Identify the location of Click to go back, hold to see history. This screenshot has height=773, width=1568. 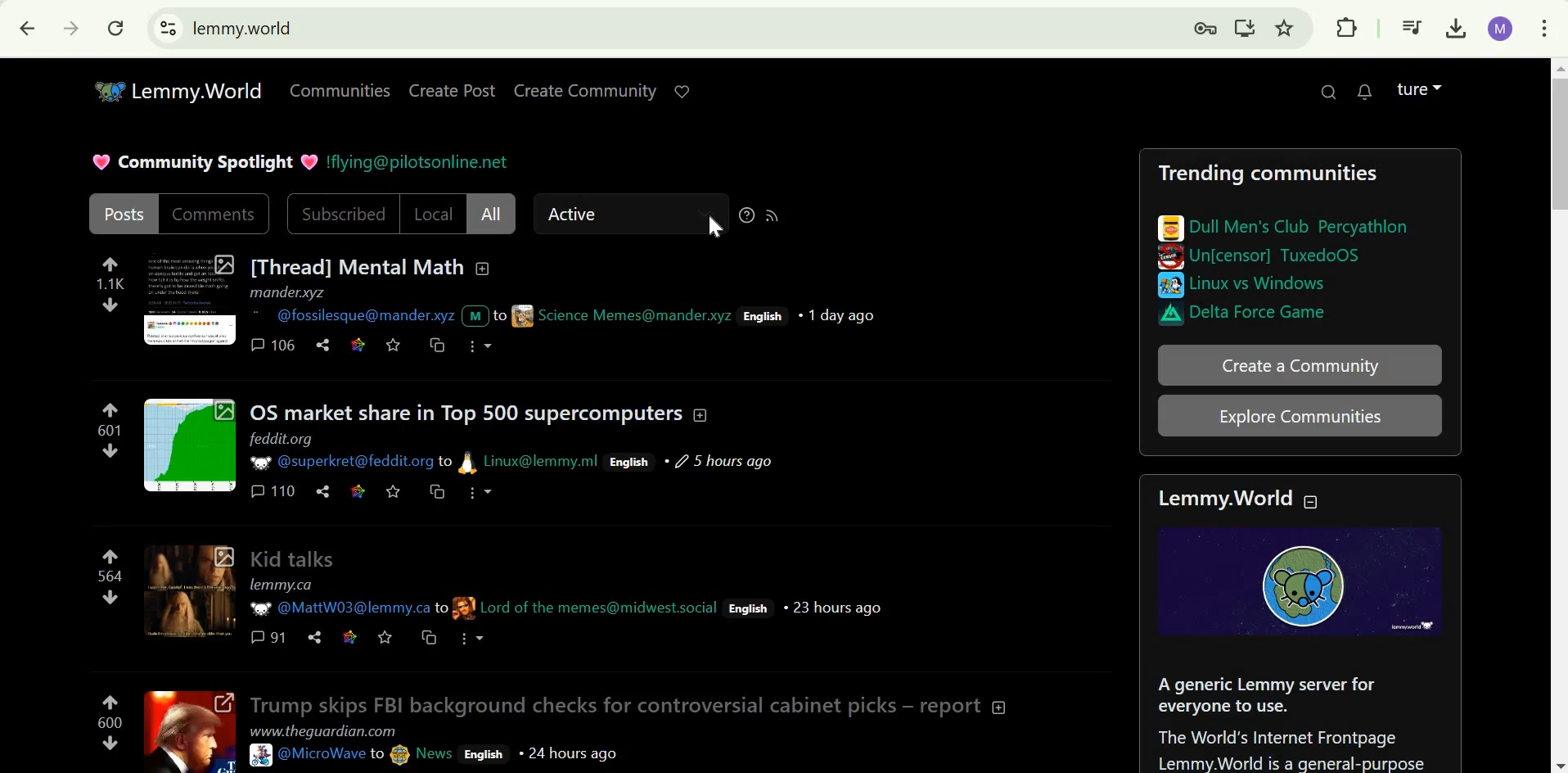
(22, 29).